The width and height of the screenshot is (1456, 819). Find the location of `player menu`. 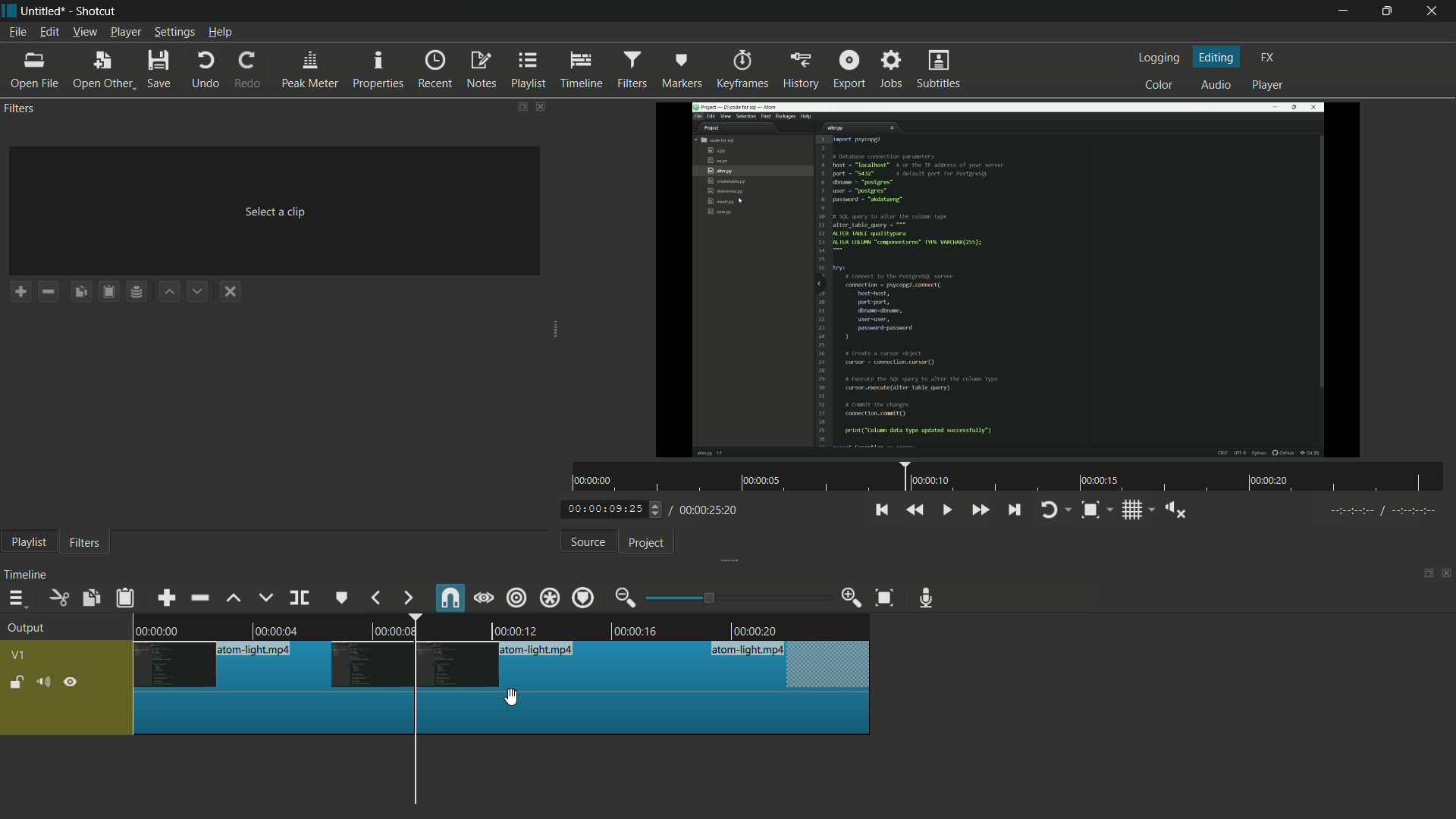

player menu is located at coordinates (125, 32).